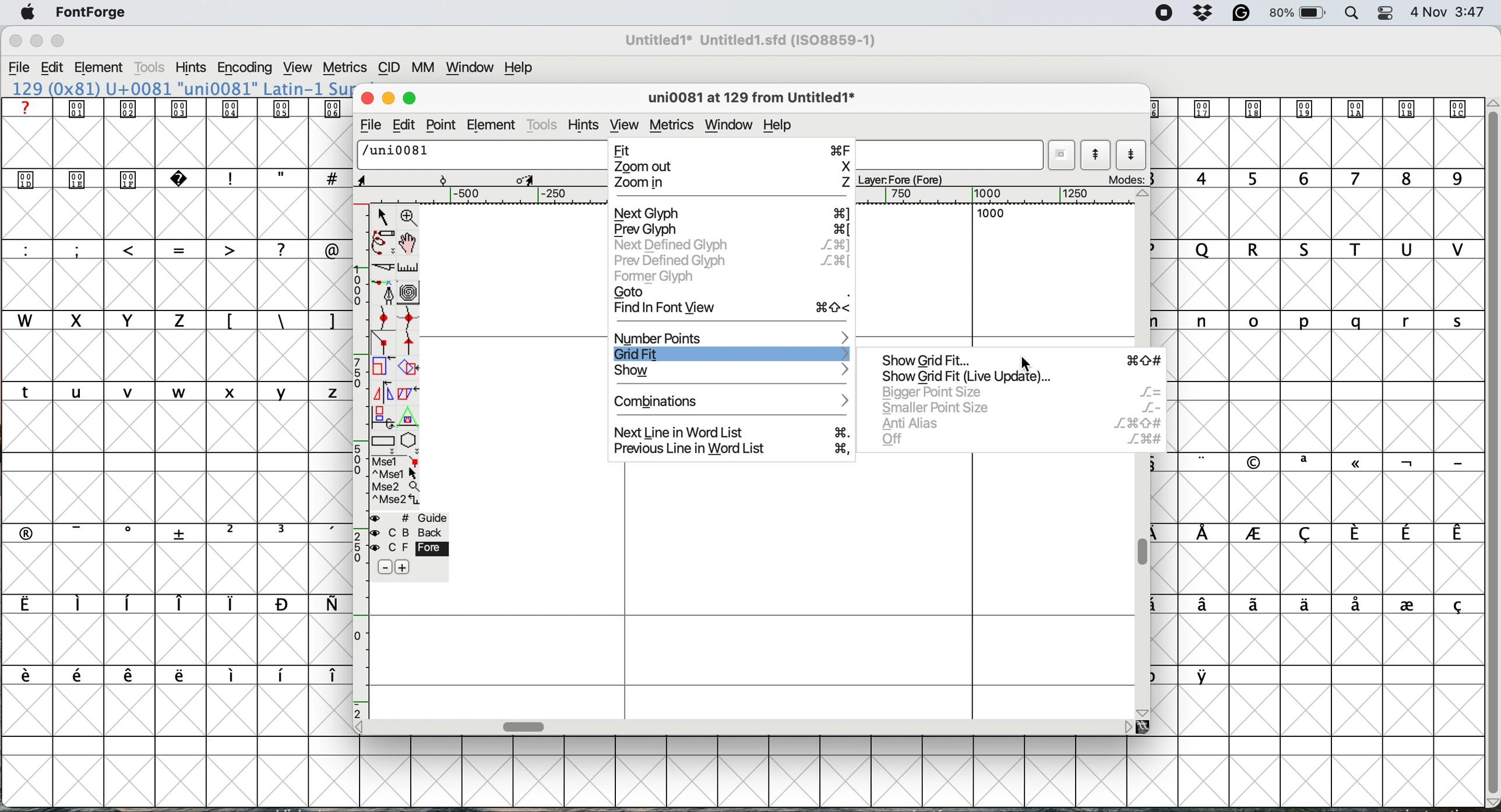  Describe the element at coordinates (408, 415) in the screenshot. I see `perform a perspective transformation on the selection` at that location.